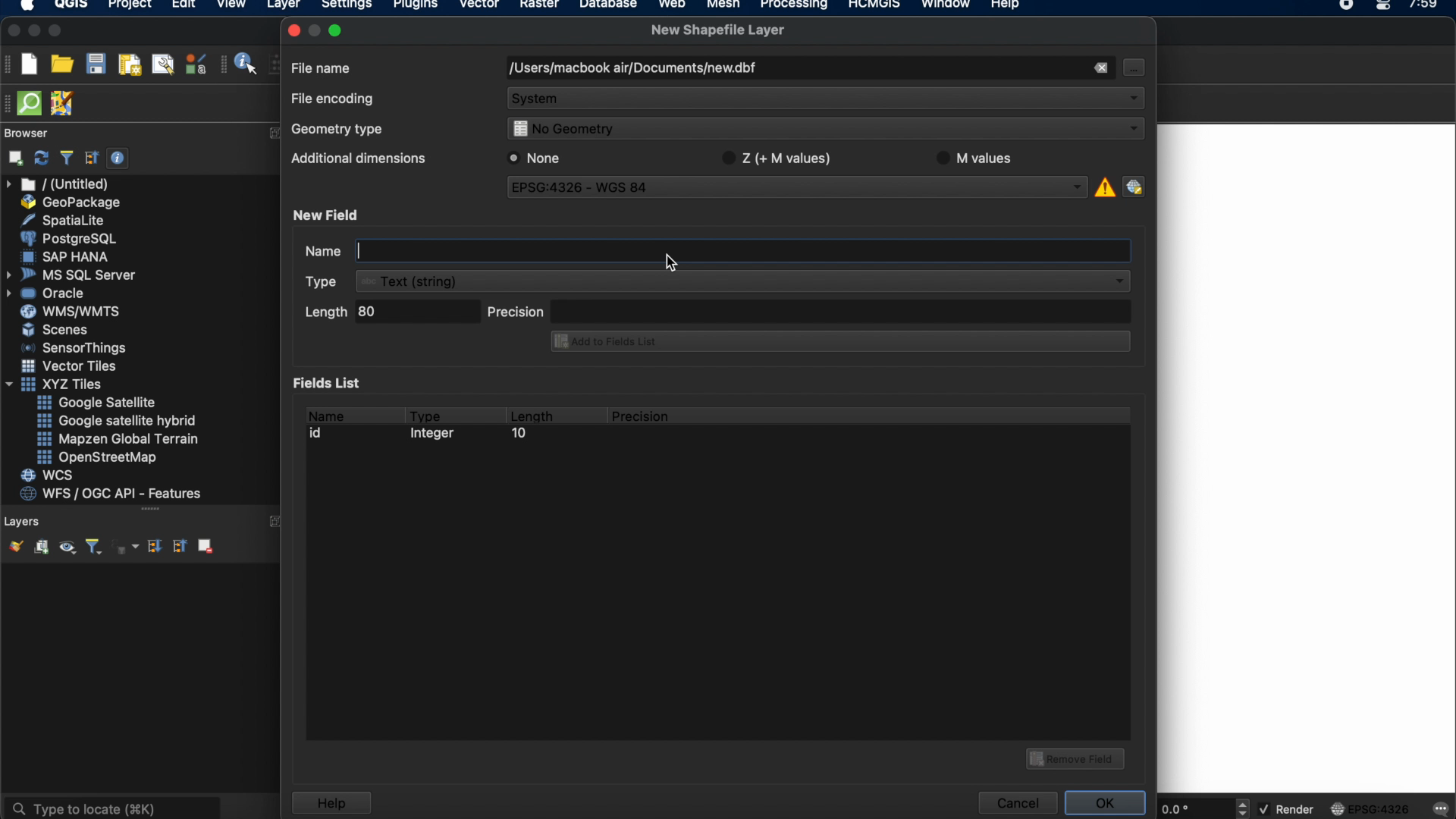 The image size is (1456, 819). What do you see at coordinates (293, 30) in the screenshot?
I see `close` at bounding box center [293, 30].